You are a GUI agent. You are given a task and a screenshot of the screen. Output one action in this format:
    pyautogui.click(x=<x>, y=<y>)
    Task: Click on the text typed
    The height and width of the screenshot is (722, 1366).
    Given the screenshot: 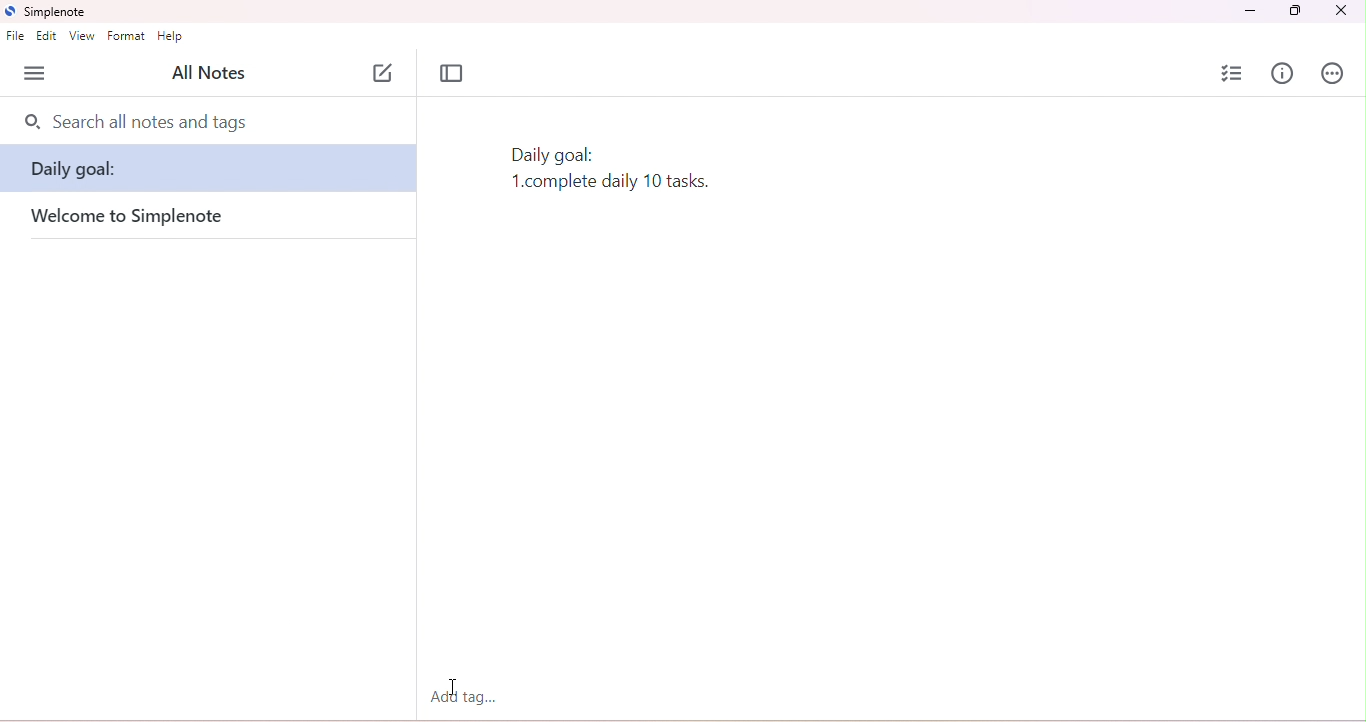 What is the action you would take?
    pyautogui.click(x=621, y=171)
    